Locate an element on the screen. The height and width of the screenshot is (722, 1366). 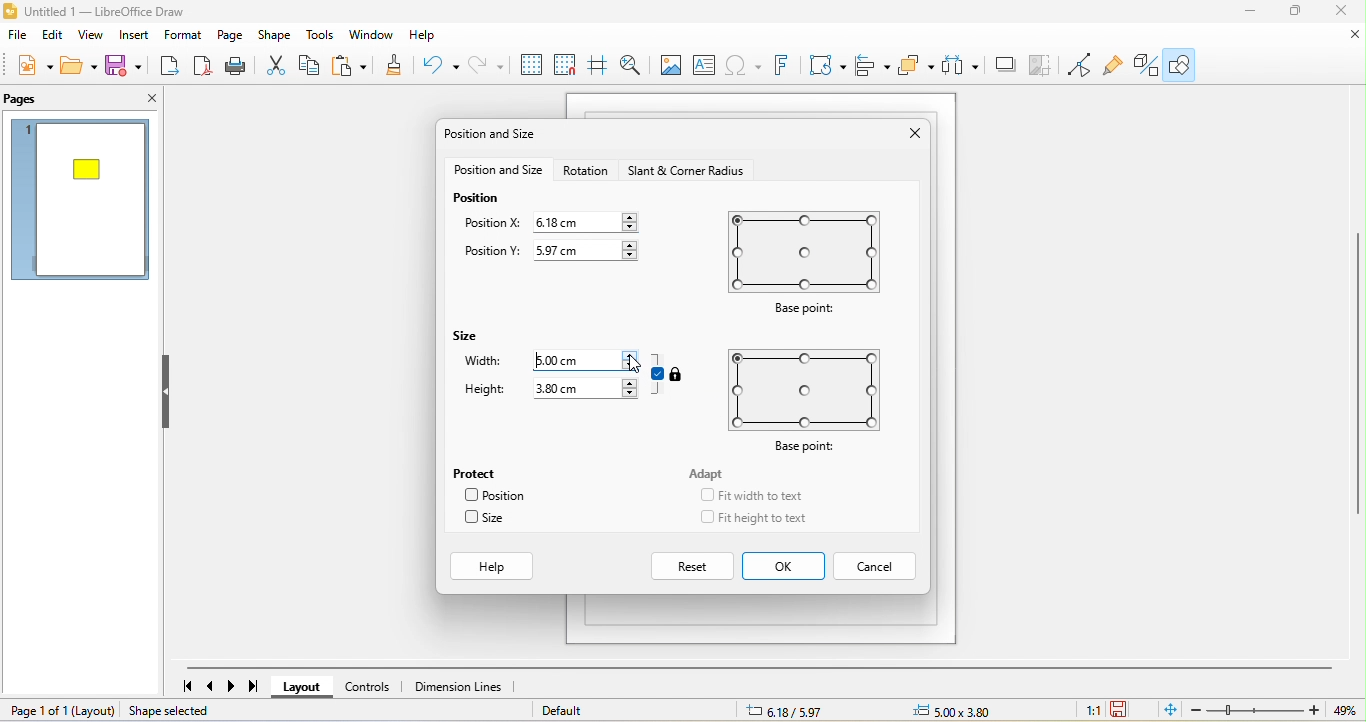
close is located at coordinates (140, 97).